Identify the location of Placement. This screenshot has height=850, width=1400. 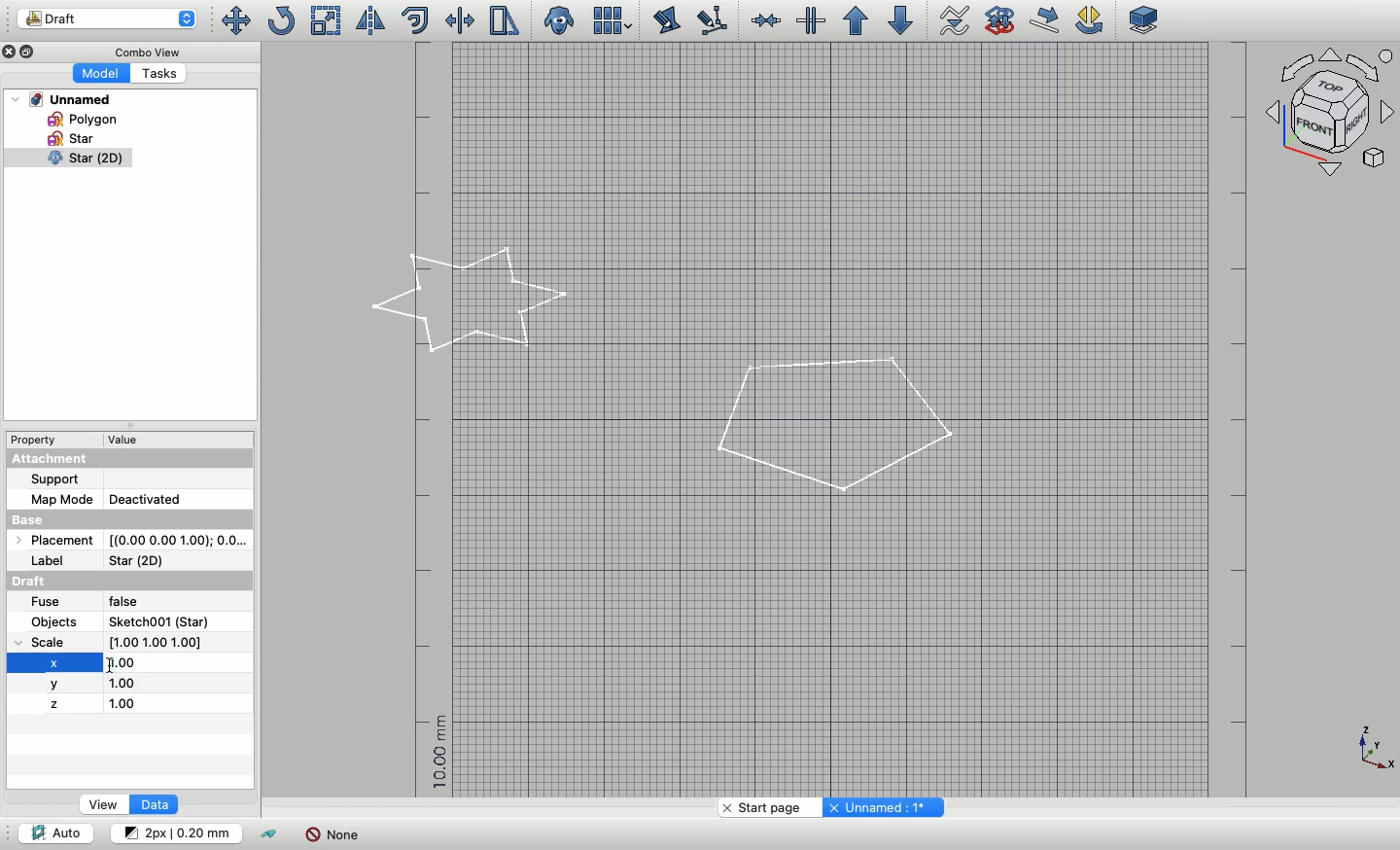
(54, 539).